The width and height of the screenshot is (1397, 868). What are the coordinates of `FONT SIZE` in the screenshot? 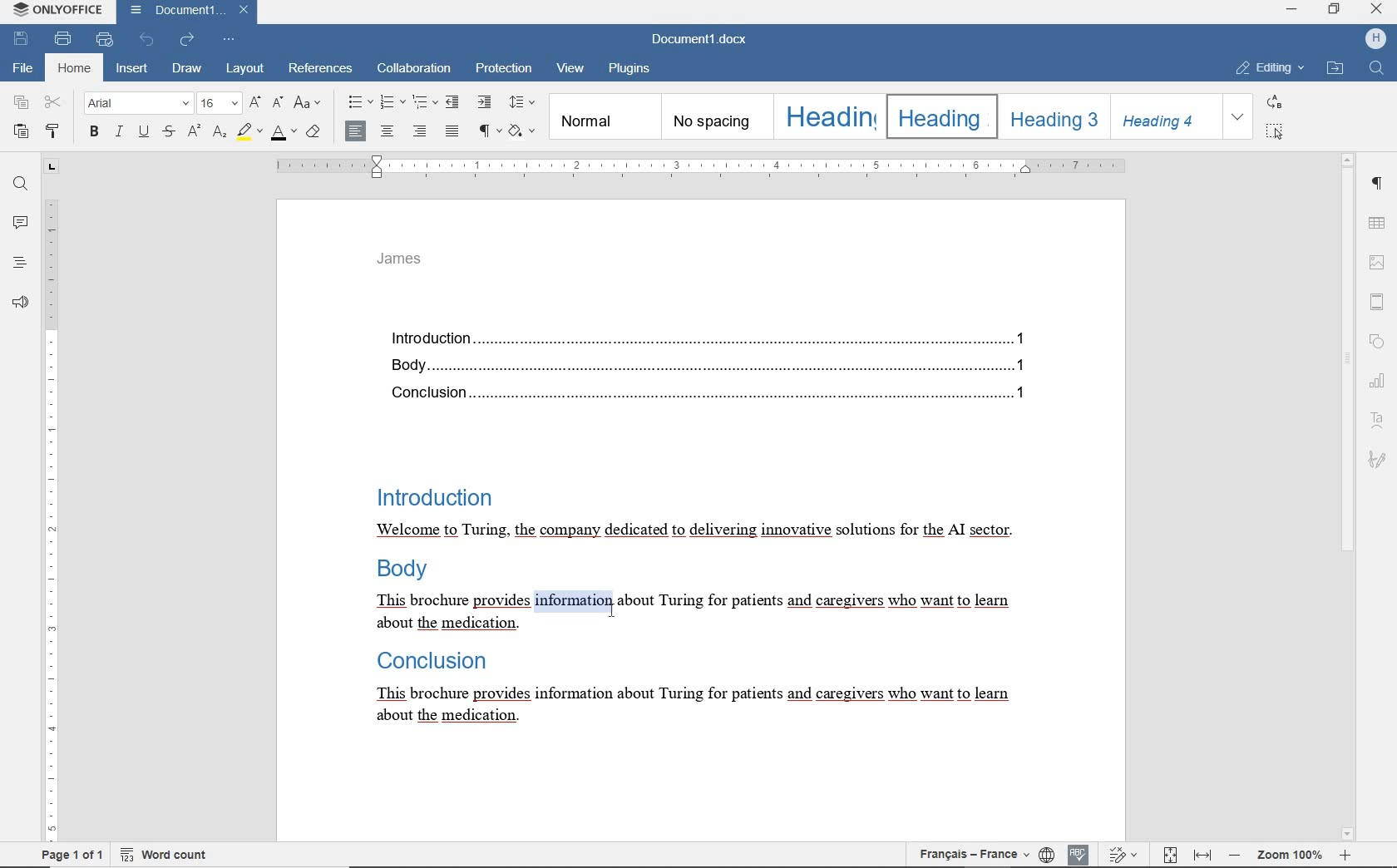 It's located at (220, 102).